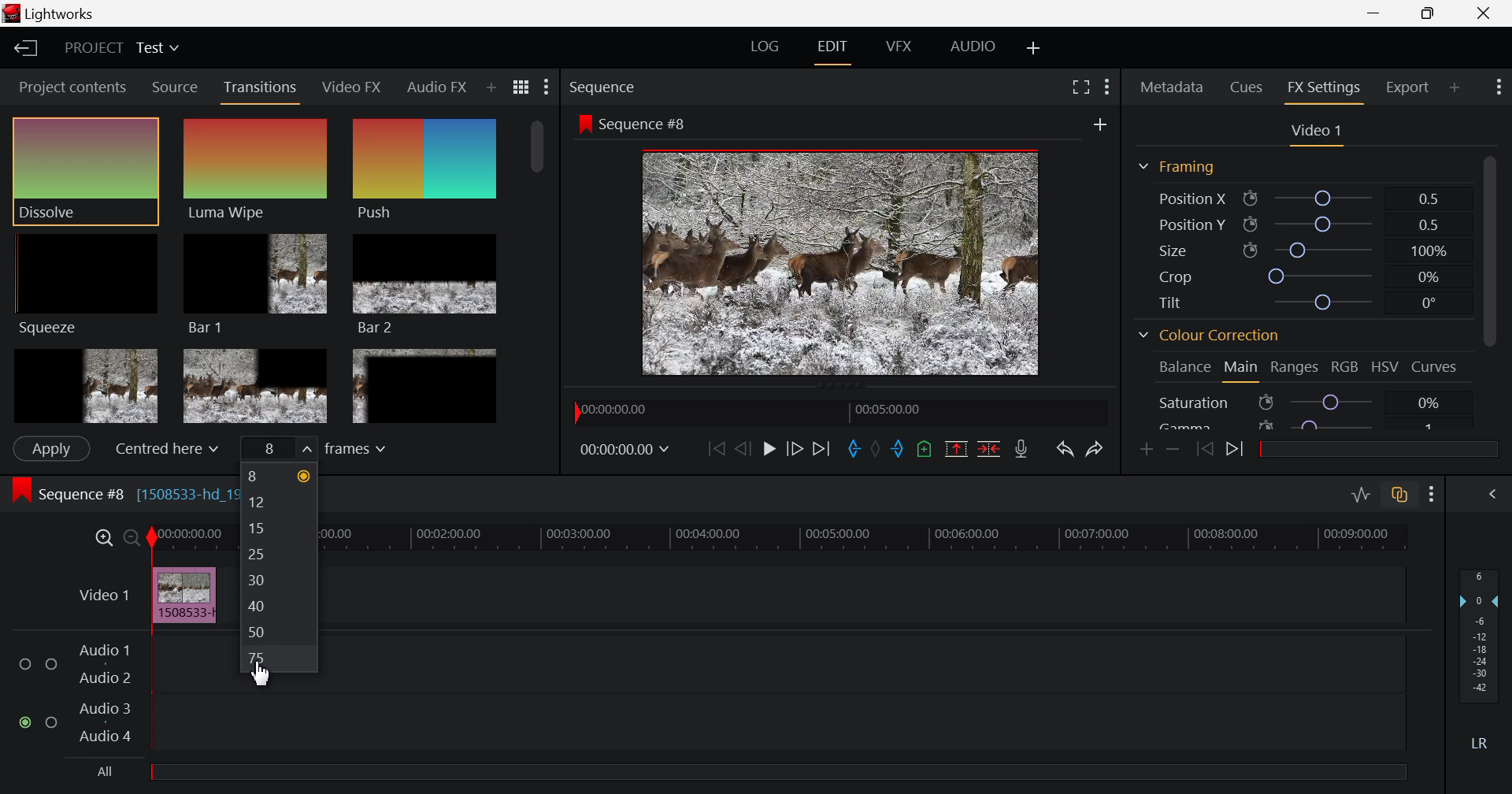 Image resolution: width=1512 pixels, height=794 pixels. What do you see at coordinates (899, 49) in the screenshot?
I see `VFX Layout` at bounding box center [899, 49].